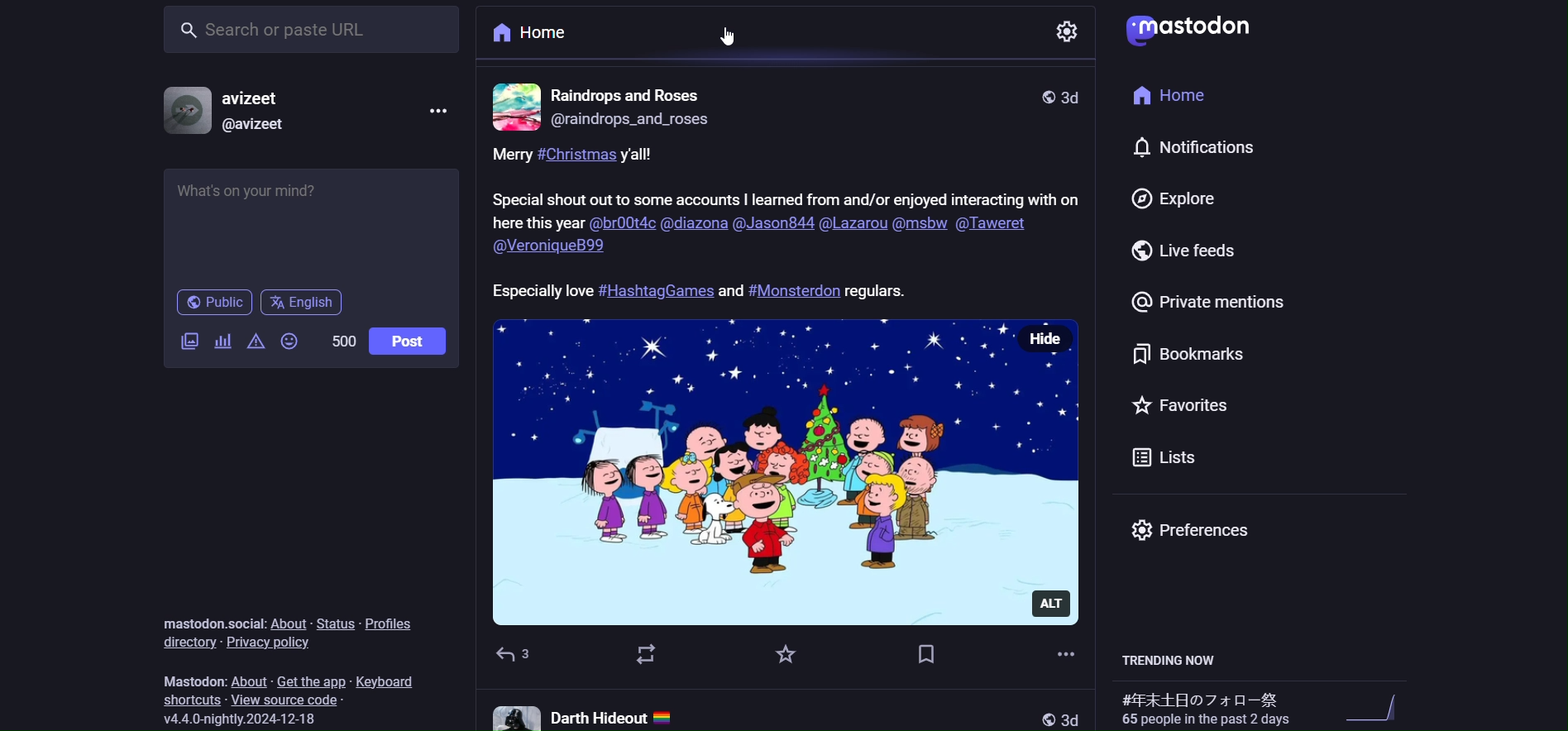 This screenshot has width=1568, height=731. Describe the element at coordinates (255, 342) in the screenshot. I see `content warning` at that location.